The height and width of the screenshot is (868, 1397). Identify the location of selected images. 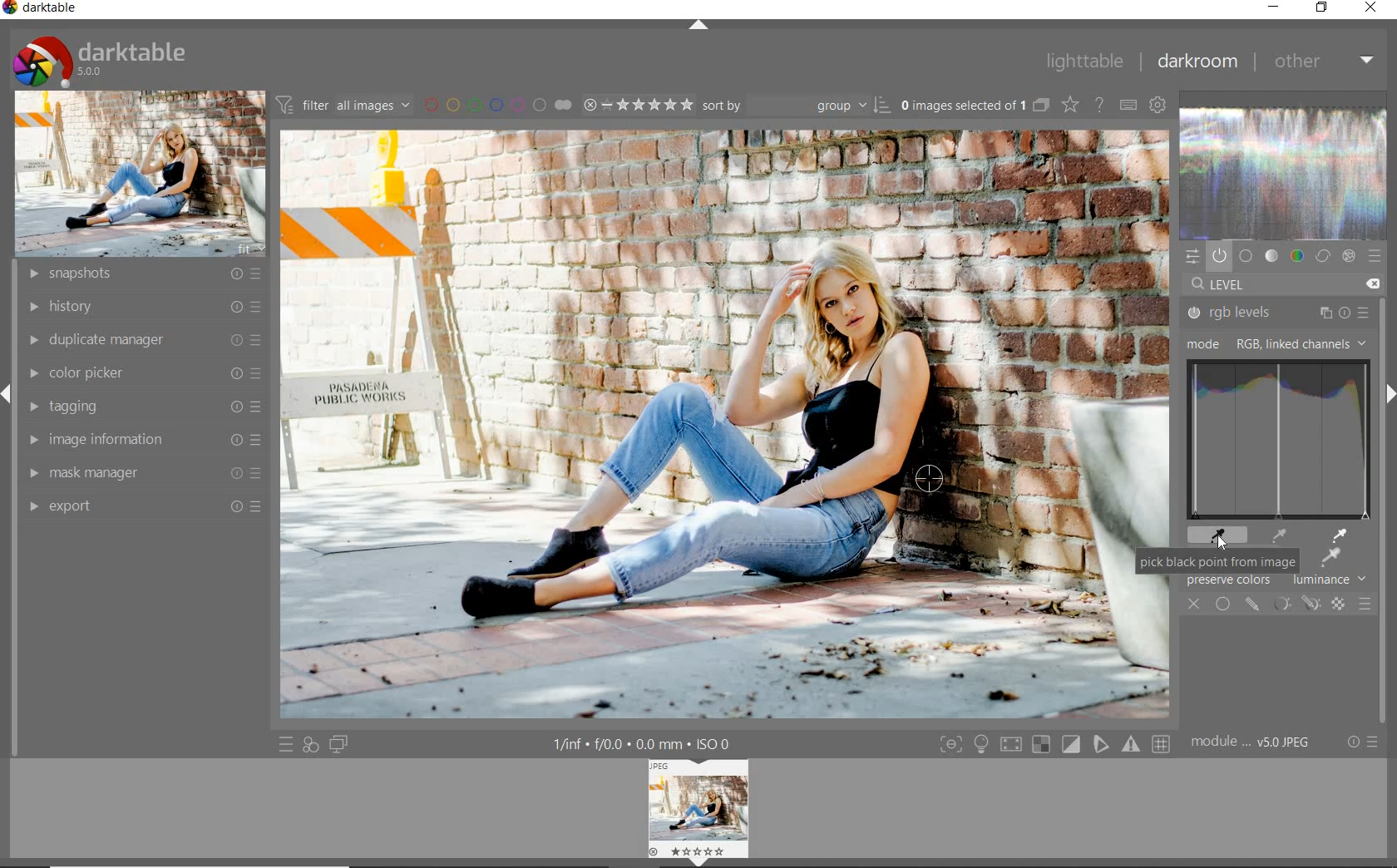
(961, 106).